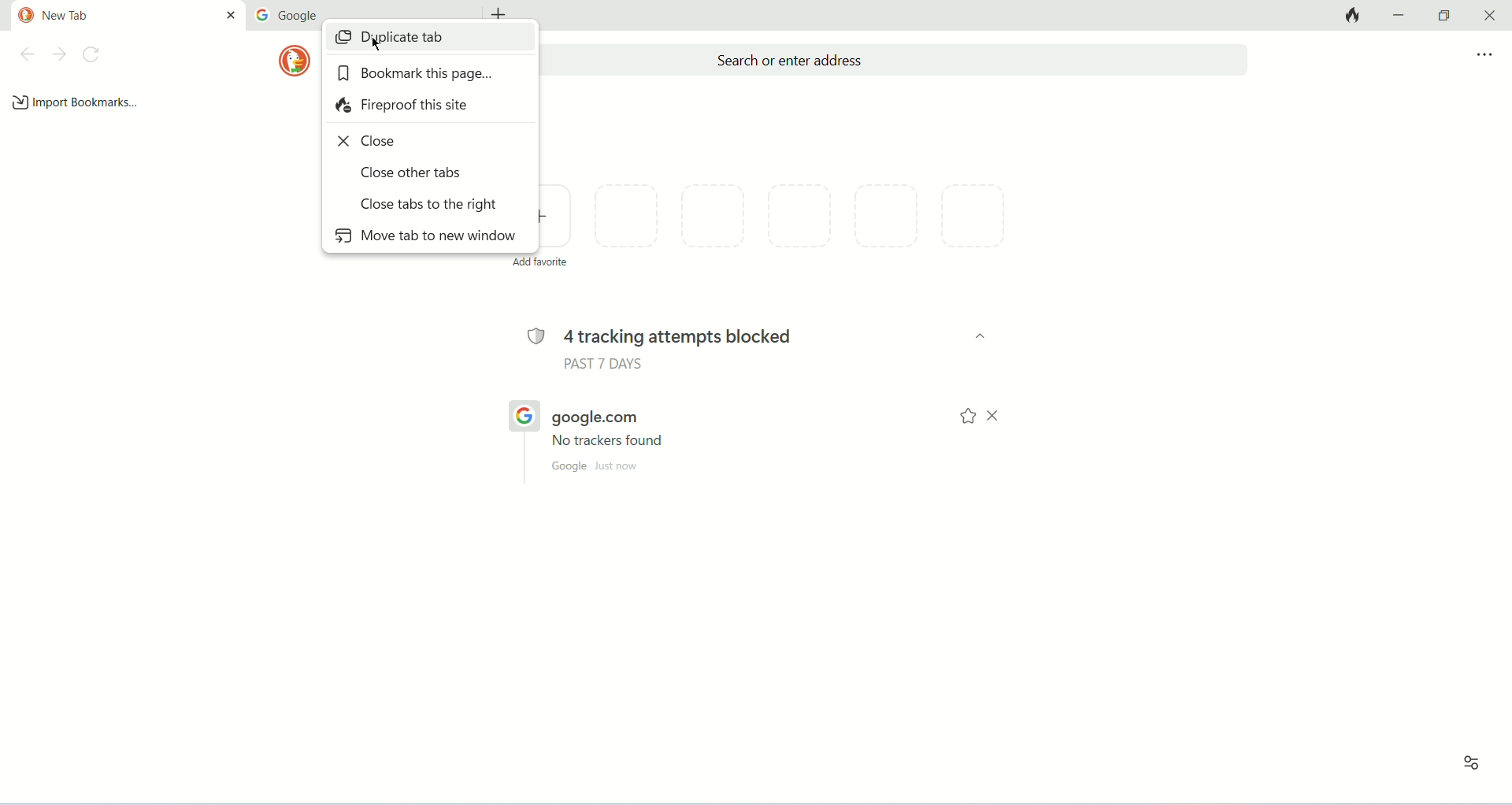  Describe the element at coordinates (302, 15) in the screenshot. I see `google` at that location.